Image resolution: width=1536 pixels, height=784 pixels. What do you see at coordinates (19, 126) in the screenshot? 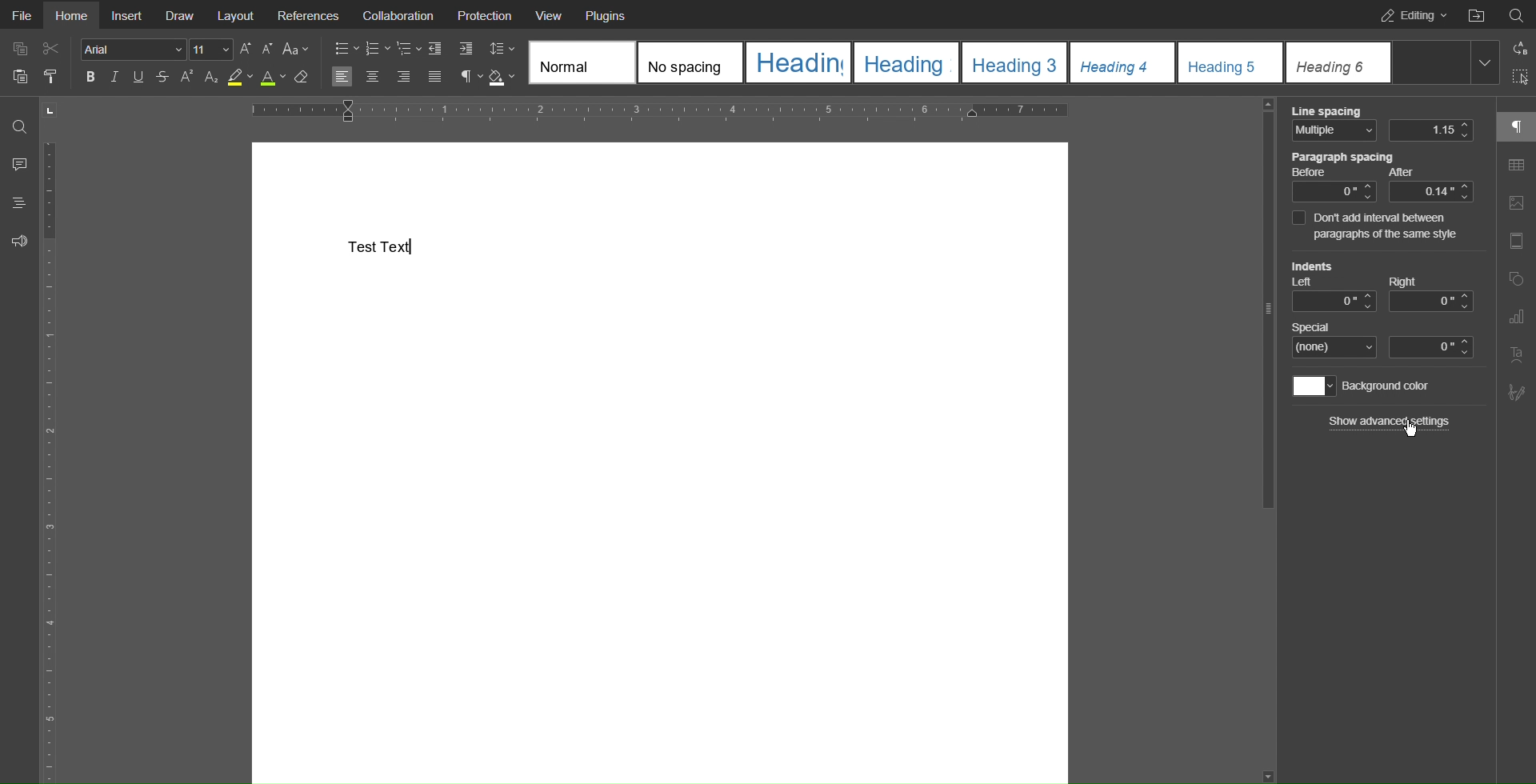
I see `Search` at bounding box center [19, 126].